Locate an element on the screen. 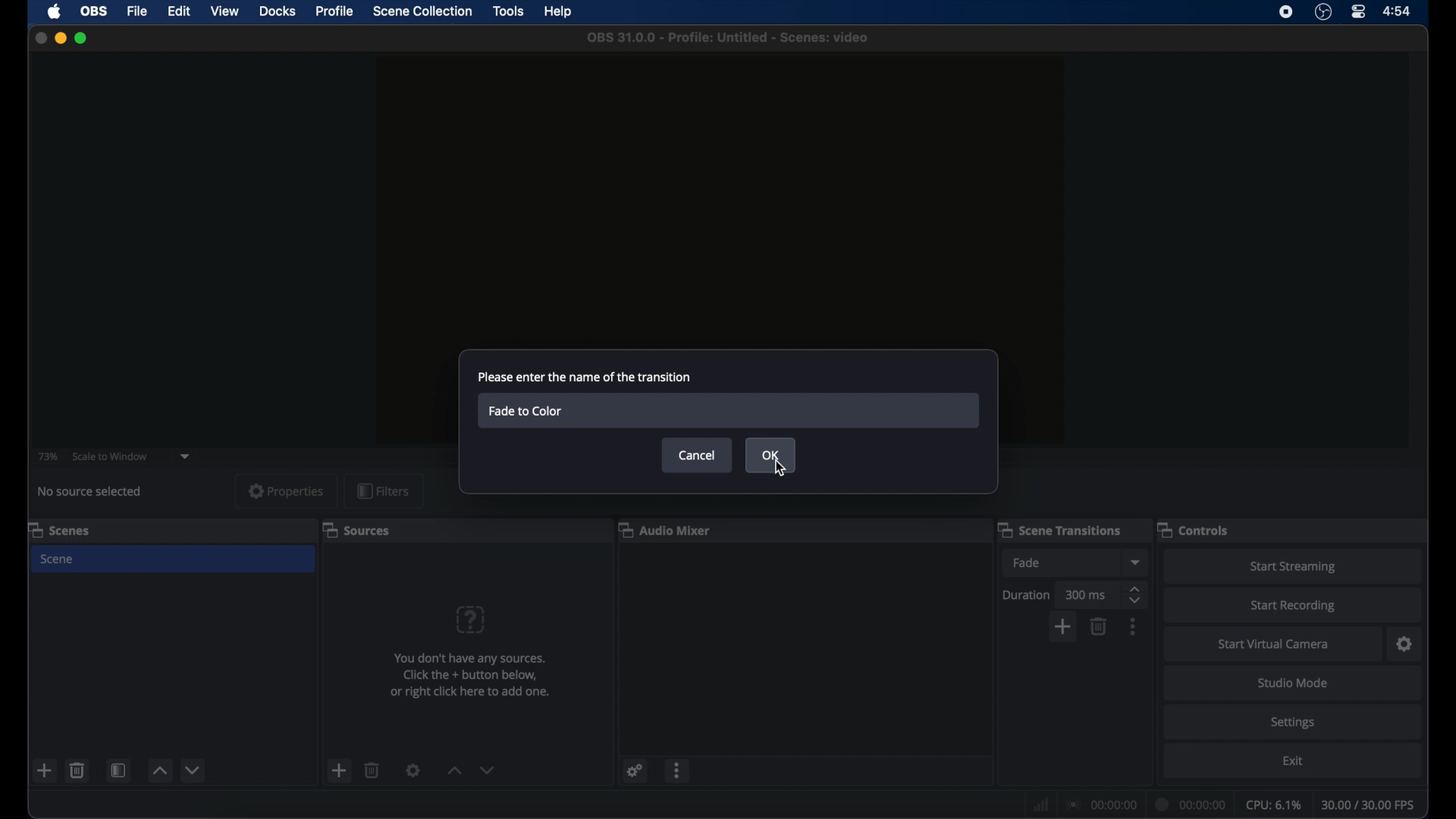  please enter the name of the transition is located at coordinates (586, 376).